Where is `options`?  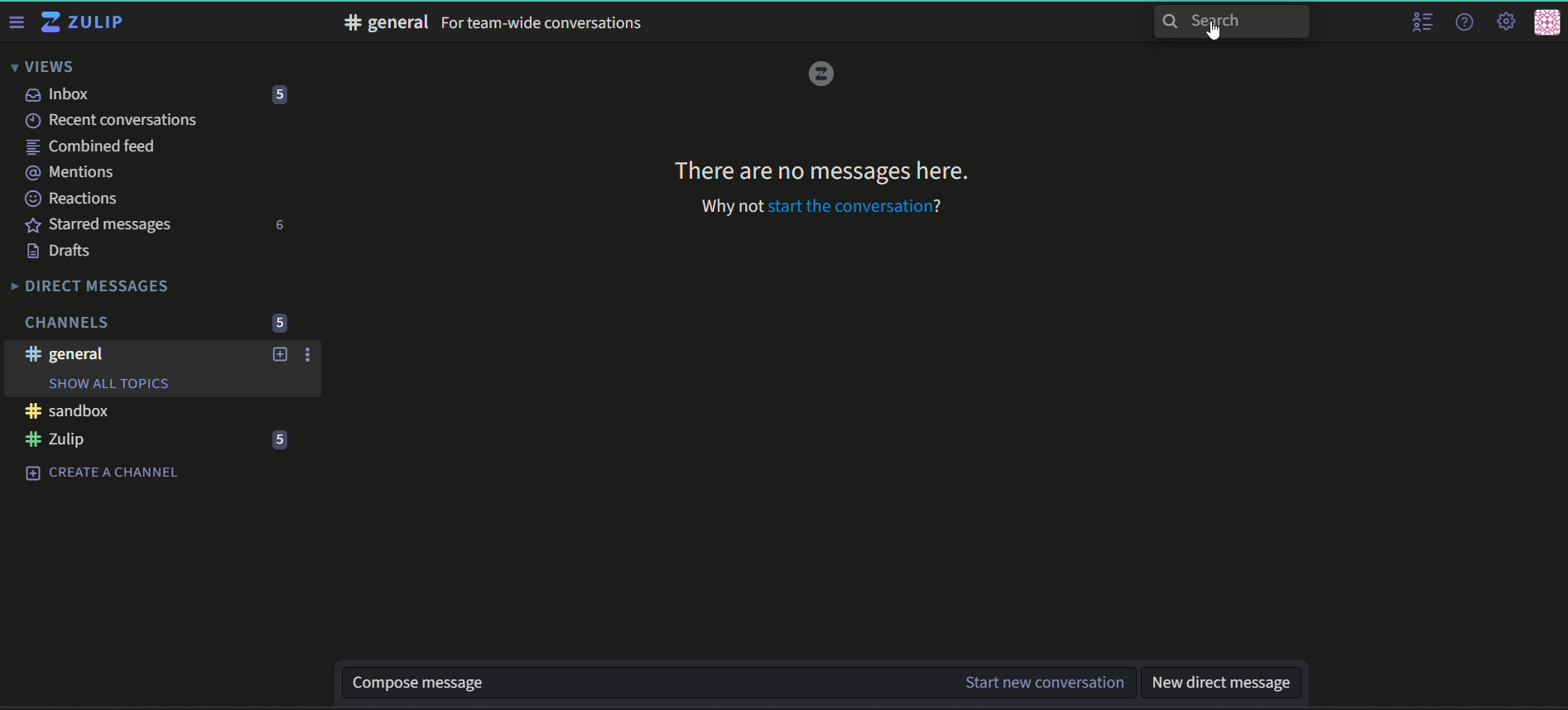
options is located at coordinates (310, 356).